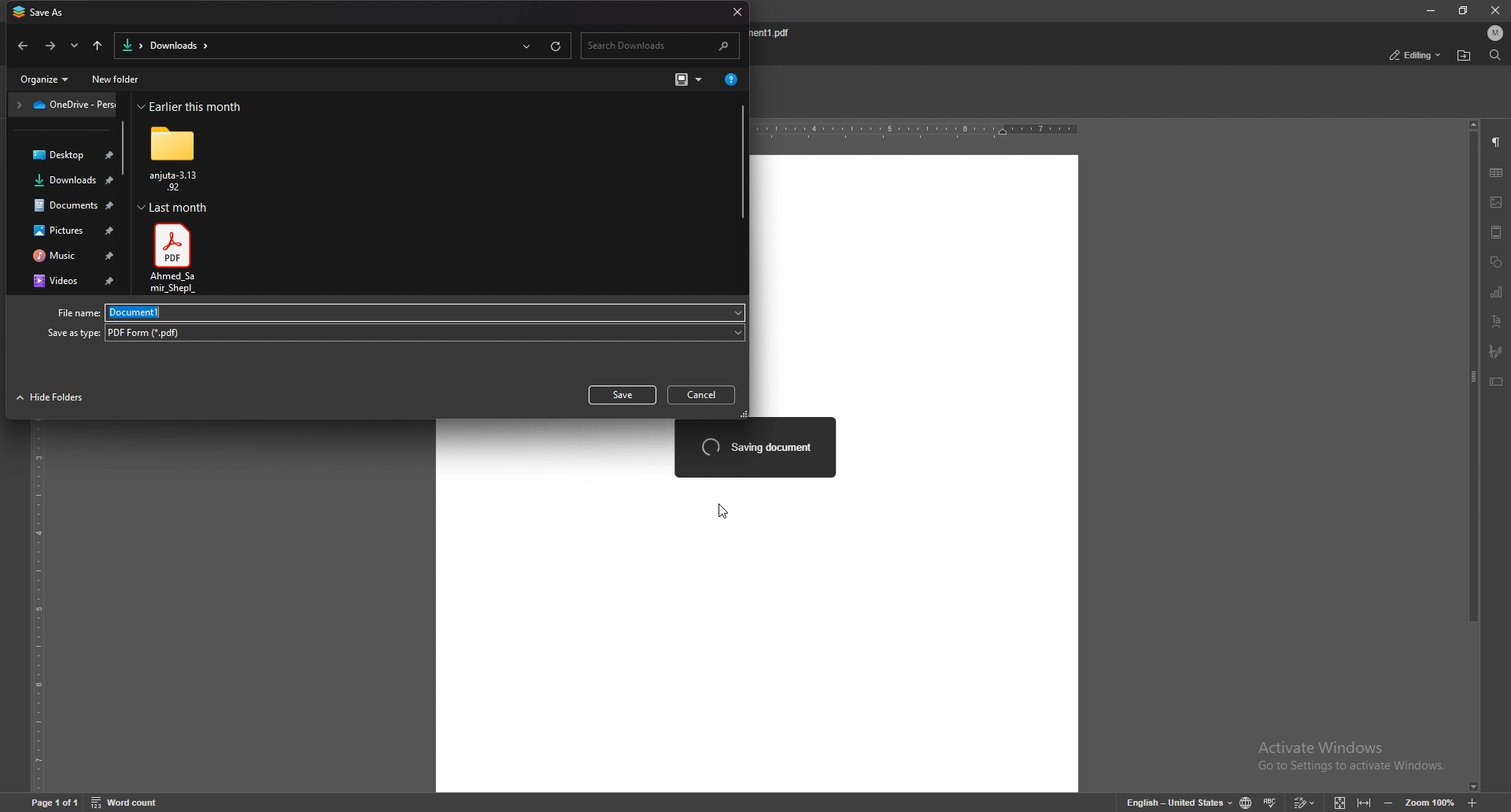 This screenshot has width=1511, height=812. I want to click on chart, so click(1497, 291).